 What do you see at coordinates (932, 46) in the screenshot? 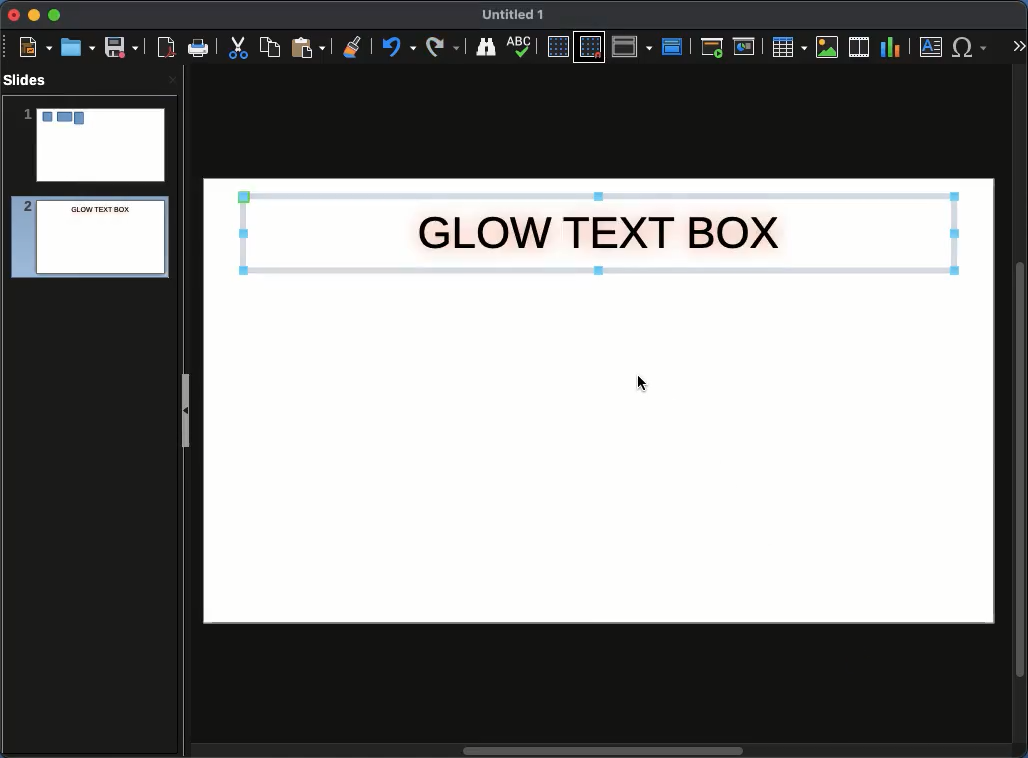
I see `Textbox` at bounding box center [932, 46].